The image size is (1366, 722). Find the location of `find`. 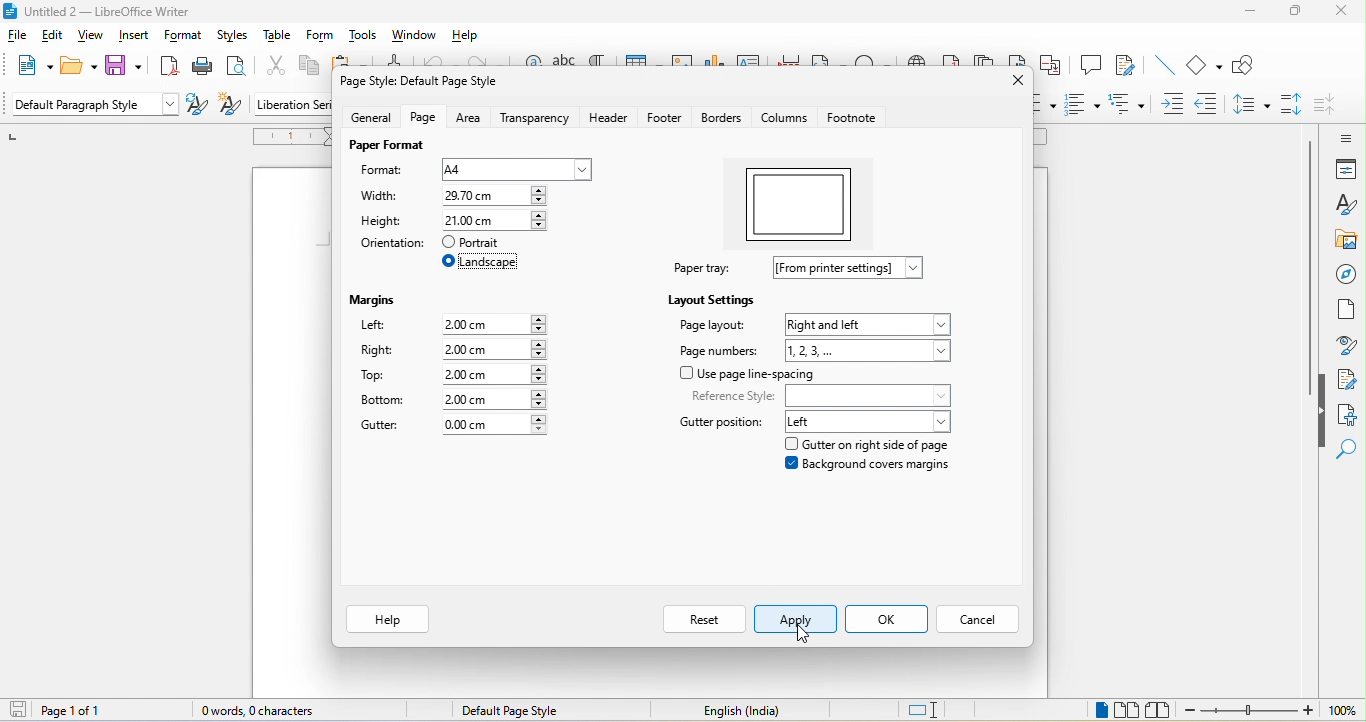

find is located at coordinates (1350, 452).